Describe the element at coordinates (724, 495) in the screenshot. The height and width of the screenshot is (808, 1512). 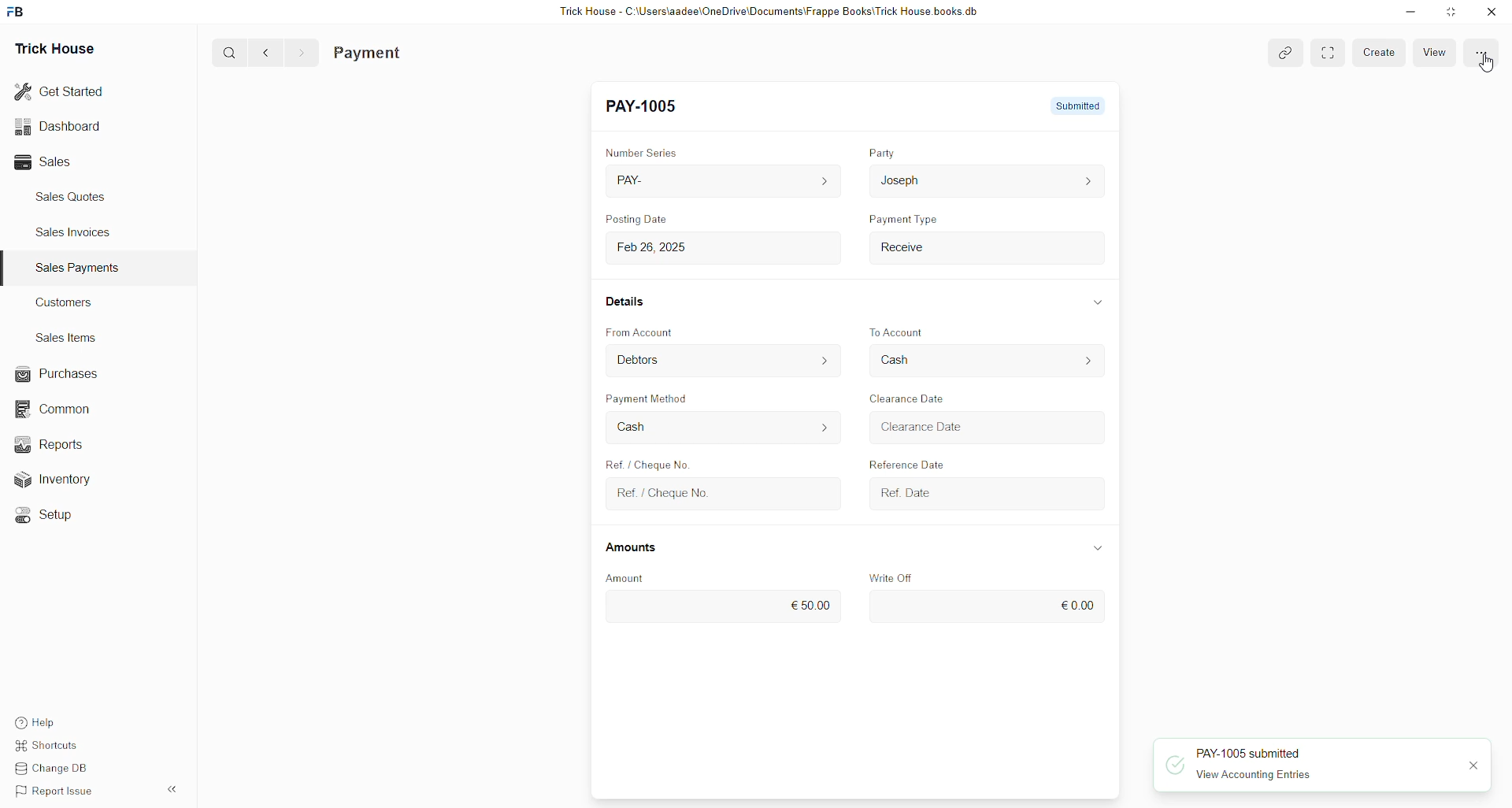
I see `Ref. / Cheque No.` at that location.